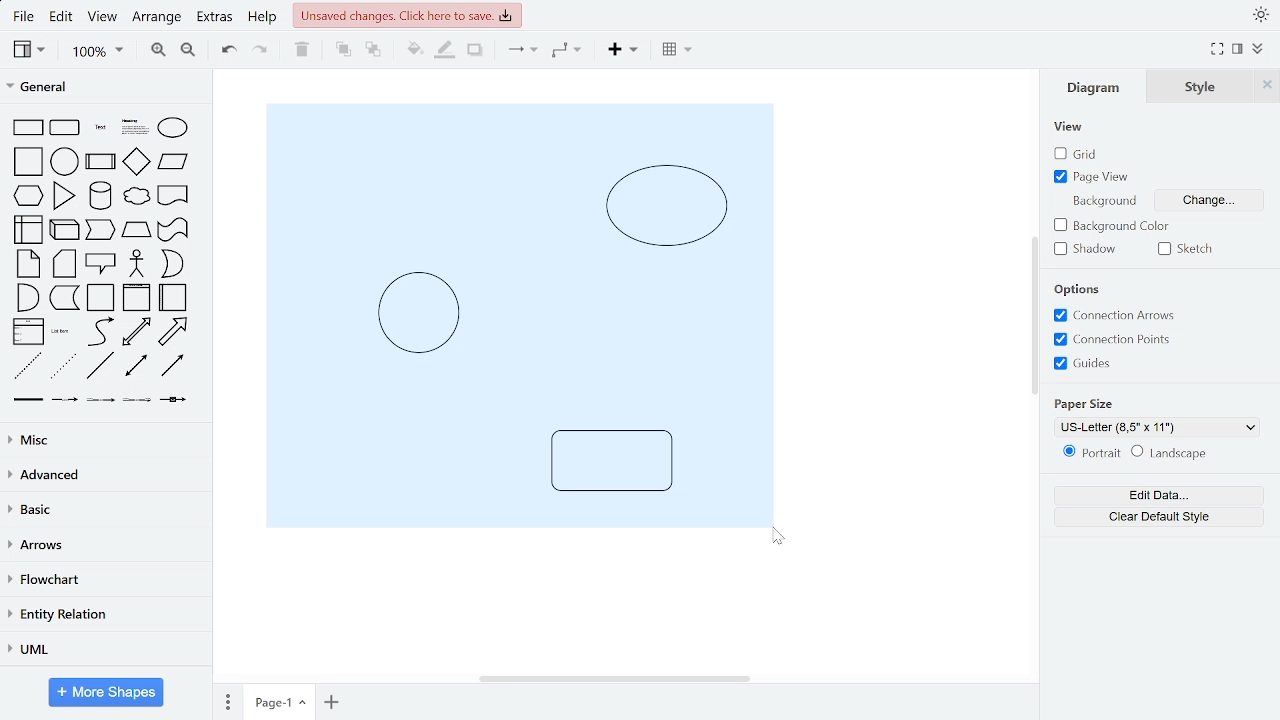  What do you see at coordinates (101, 127) in the screenshot?
I see `text` at bounding box center [101, 127].